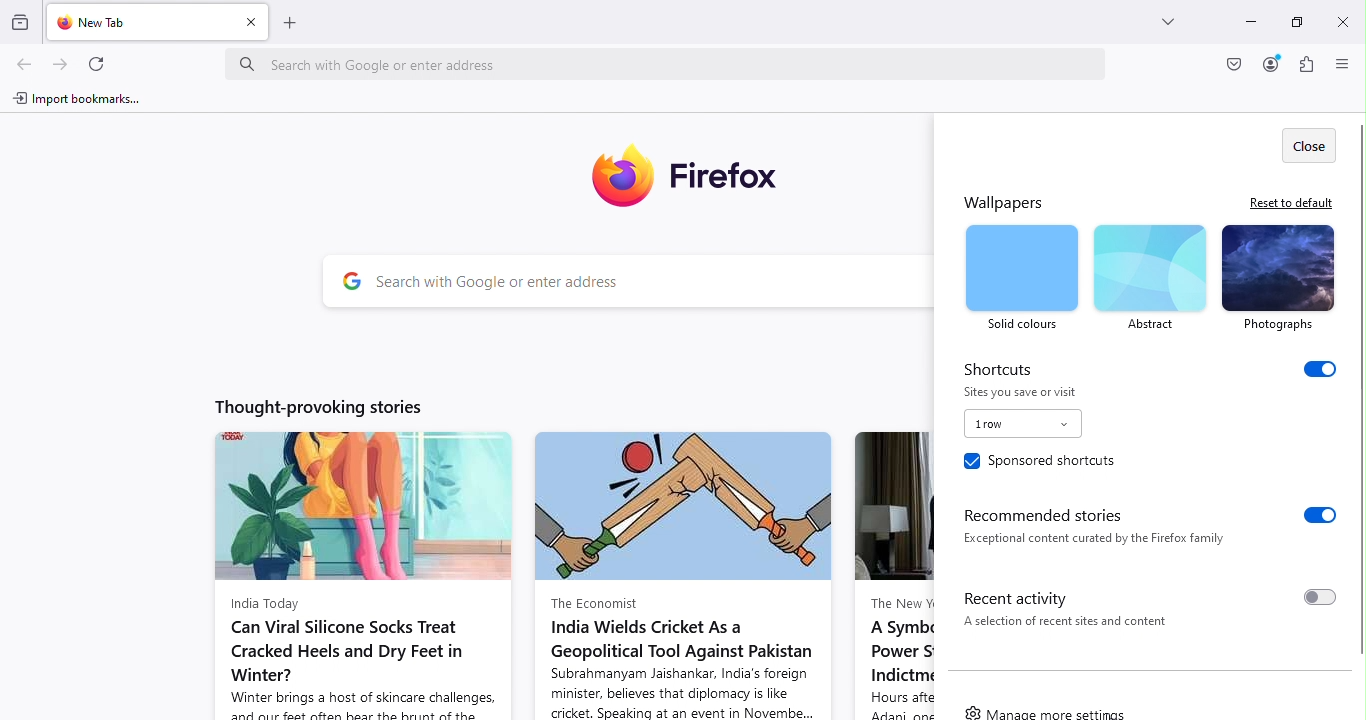 The height and width of the screenshot is (720, 1366). Describe the element at coordinates (1156, 18) in the screenshot. I see `List all tabs` at that location.